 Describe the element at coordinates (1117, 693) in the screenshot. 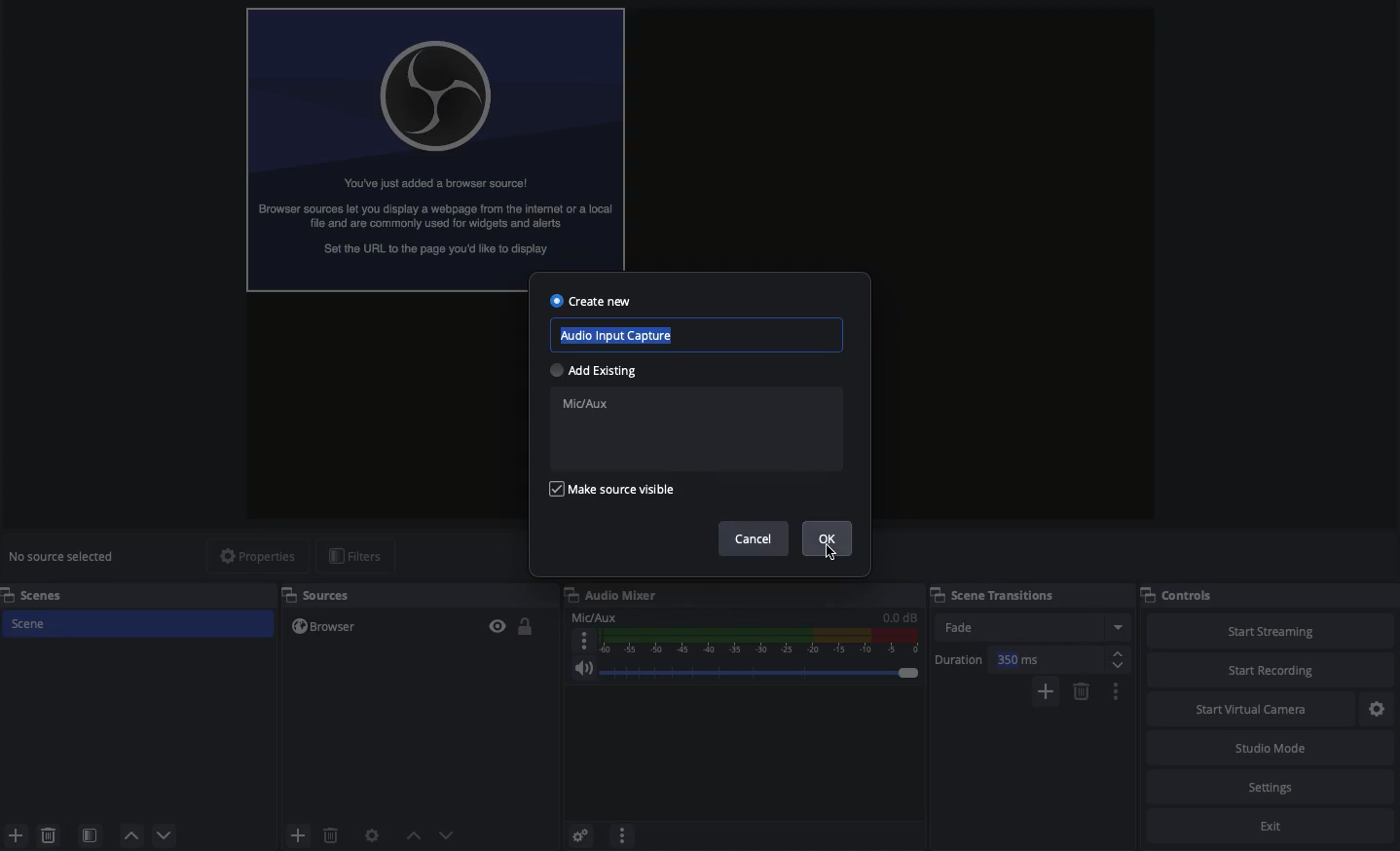

I see `Options` at that location.